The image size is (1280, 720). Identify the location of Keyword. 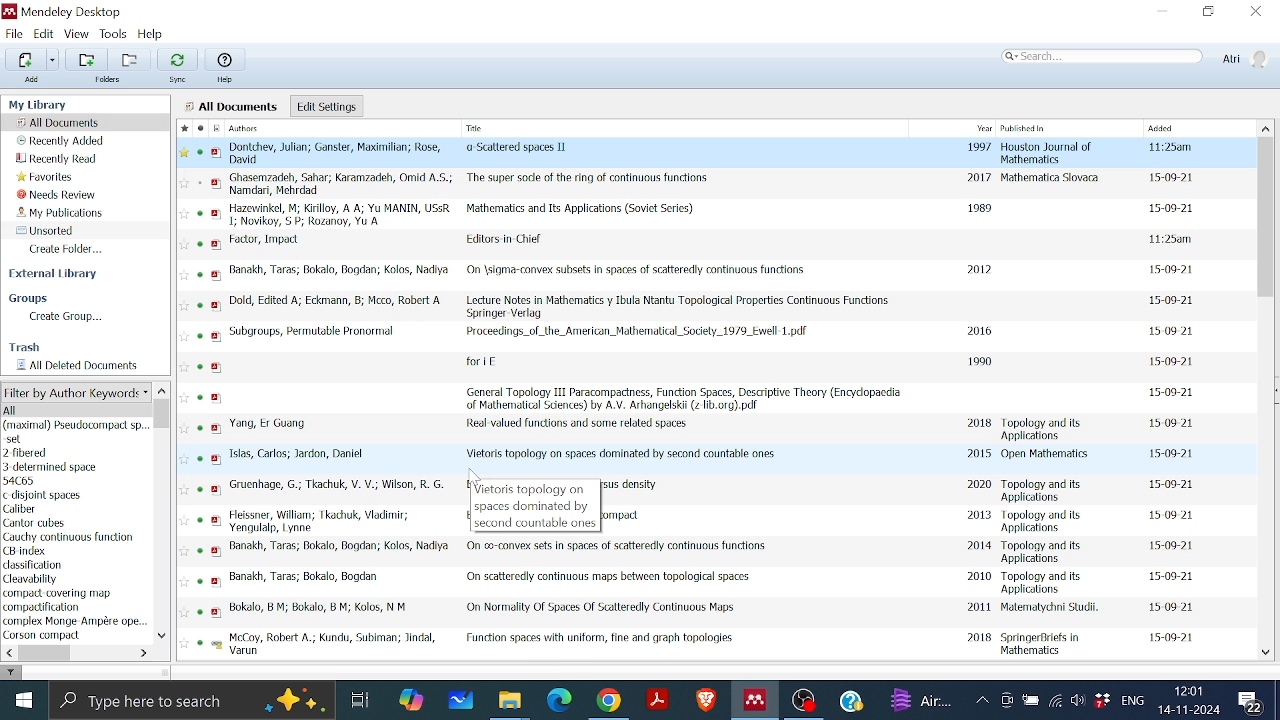
(40, 607).